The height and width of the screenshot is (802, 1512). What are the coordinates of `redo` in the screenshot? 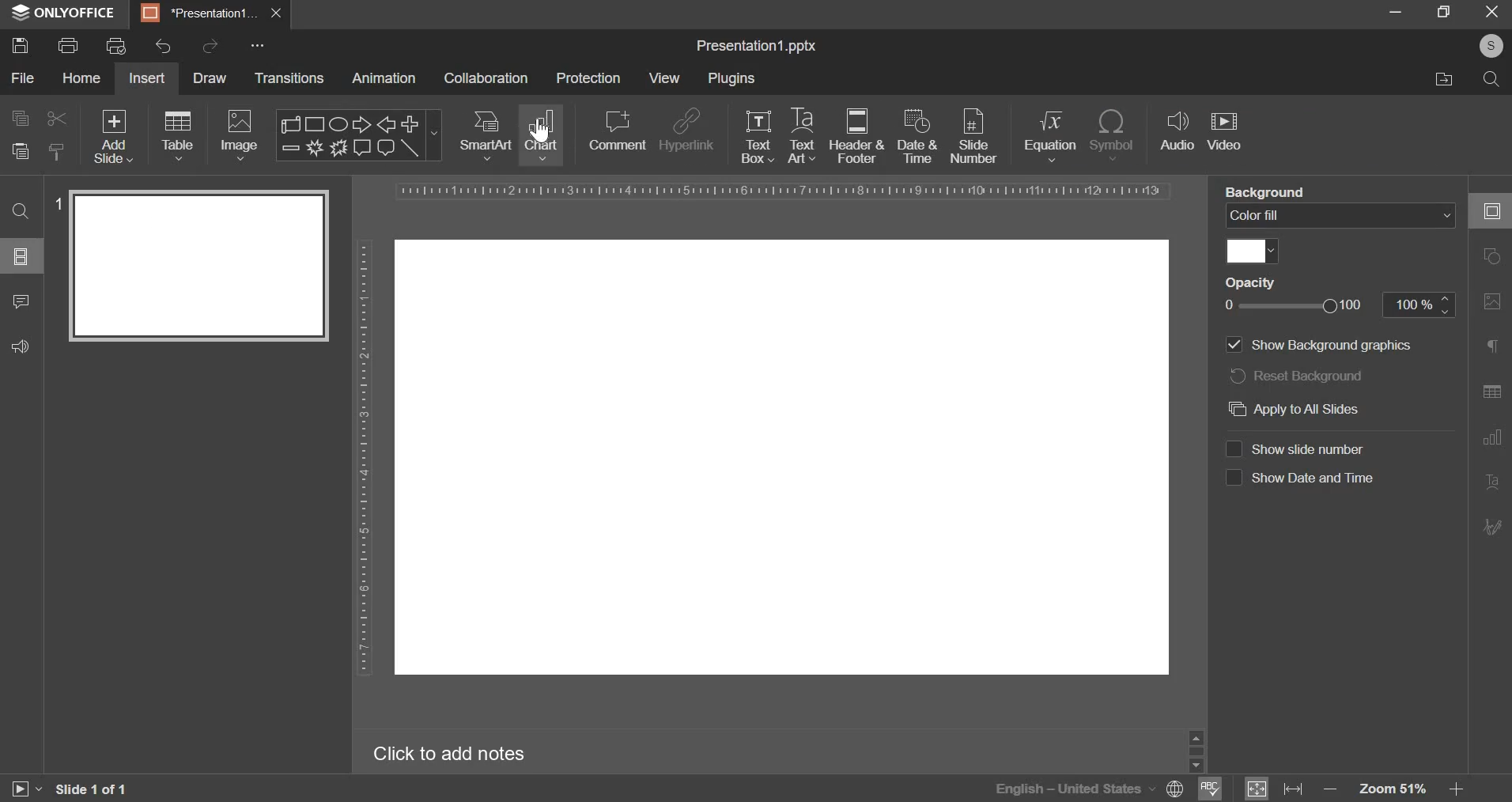 It's located at (210, 47).